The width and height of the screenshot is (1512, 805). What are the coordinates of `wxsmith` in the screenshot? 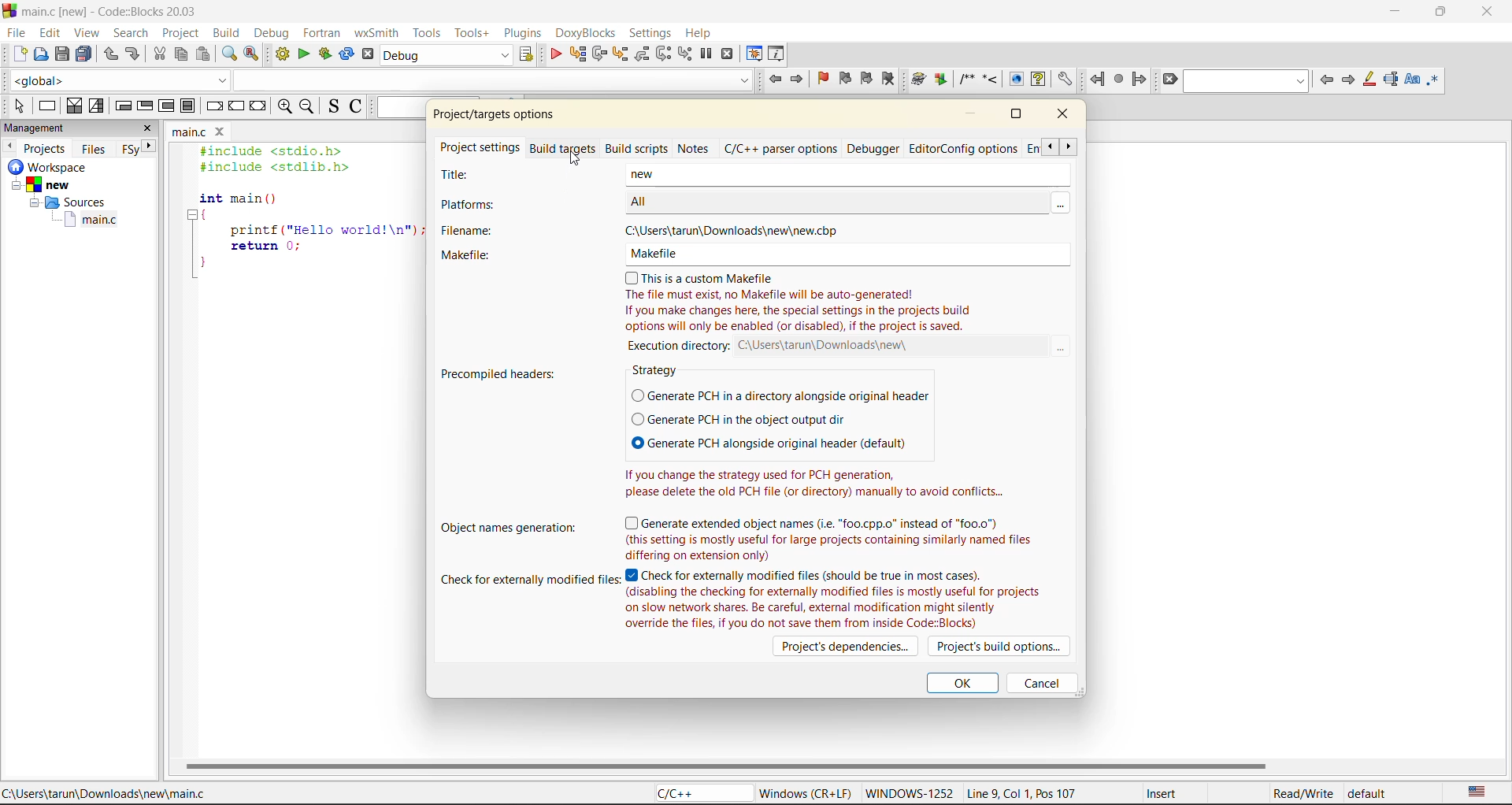 It's located at (374, 35).